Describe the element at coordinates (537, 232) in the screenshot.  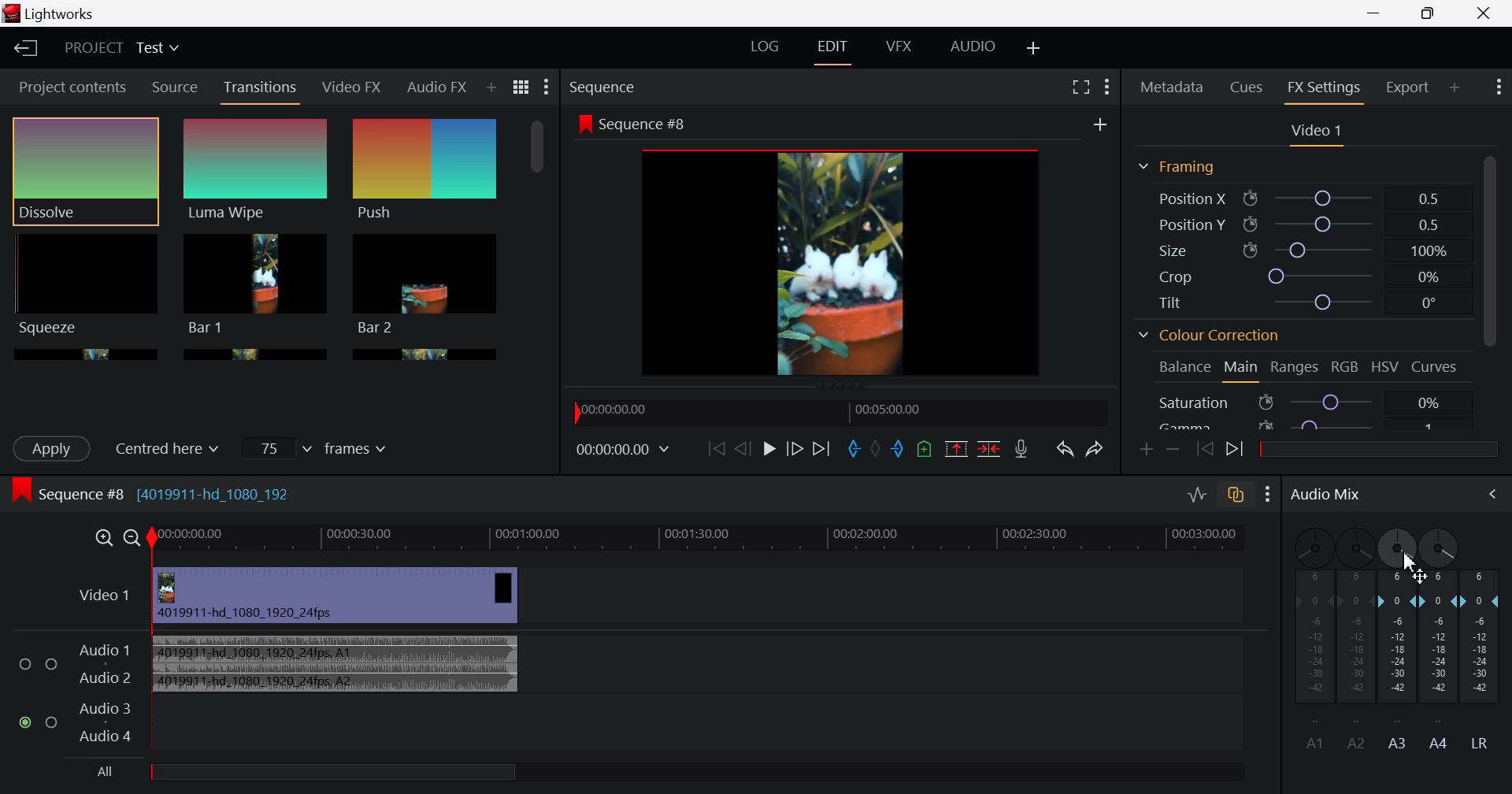
I see `Scroll Bar` at that location.